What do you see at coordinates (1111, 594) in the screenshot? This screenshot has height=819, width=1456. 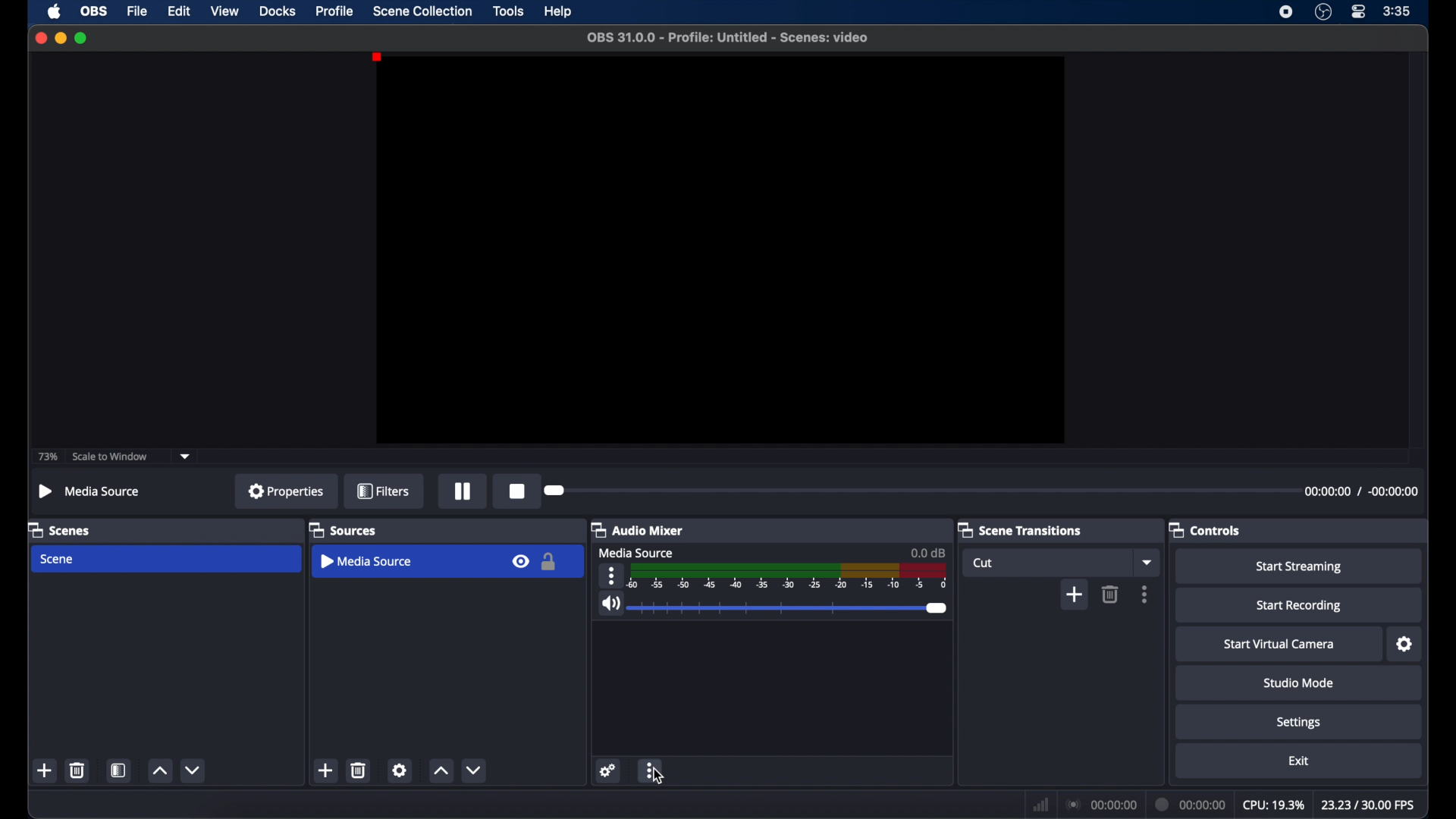 I see `delete` at bounding box center [1111, 594].